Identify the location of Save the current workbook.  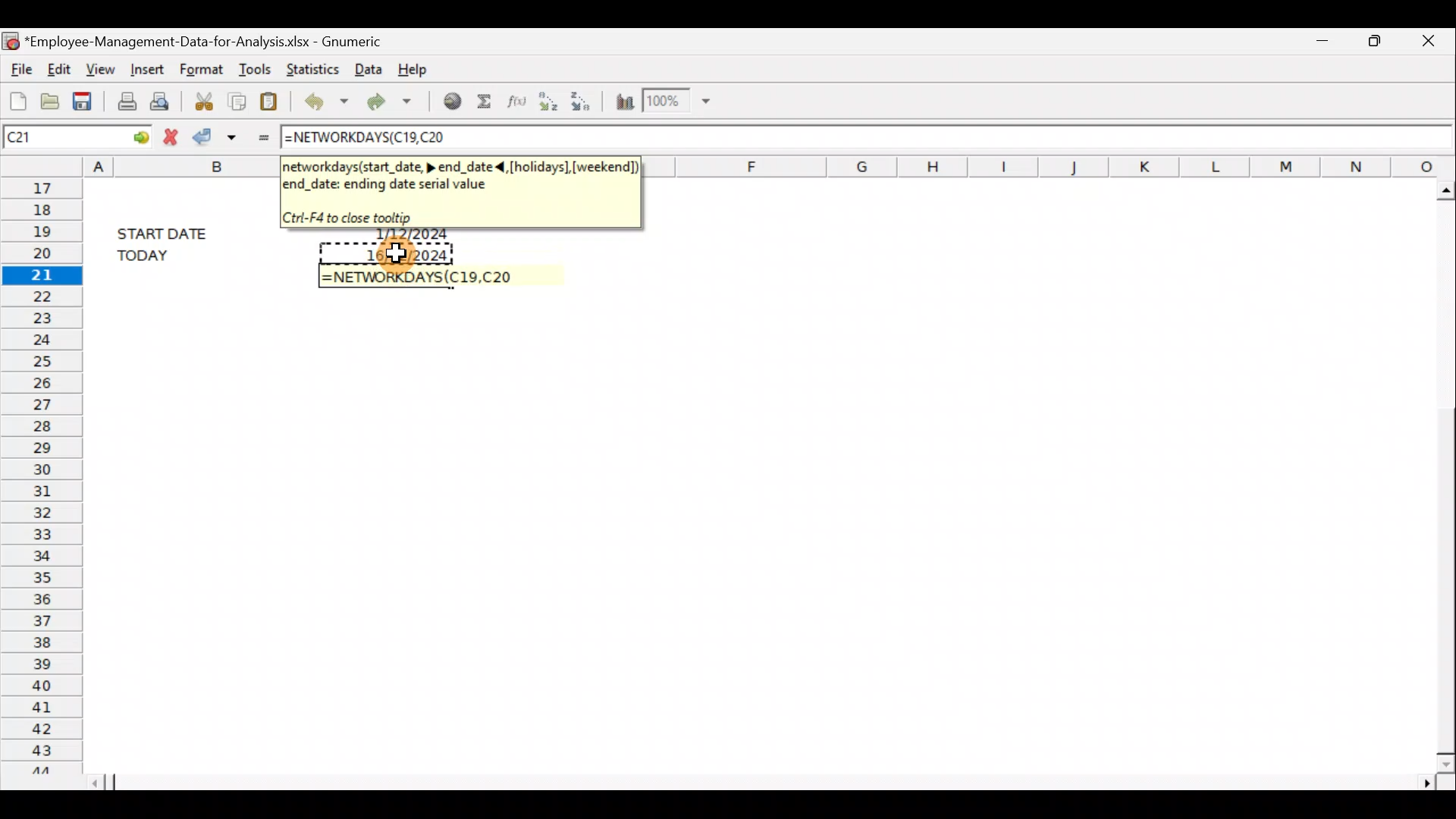
(85, 99).